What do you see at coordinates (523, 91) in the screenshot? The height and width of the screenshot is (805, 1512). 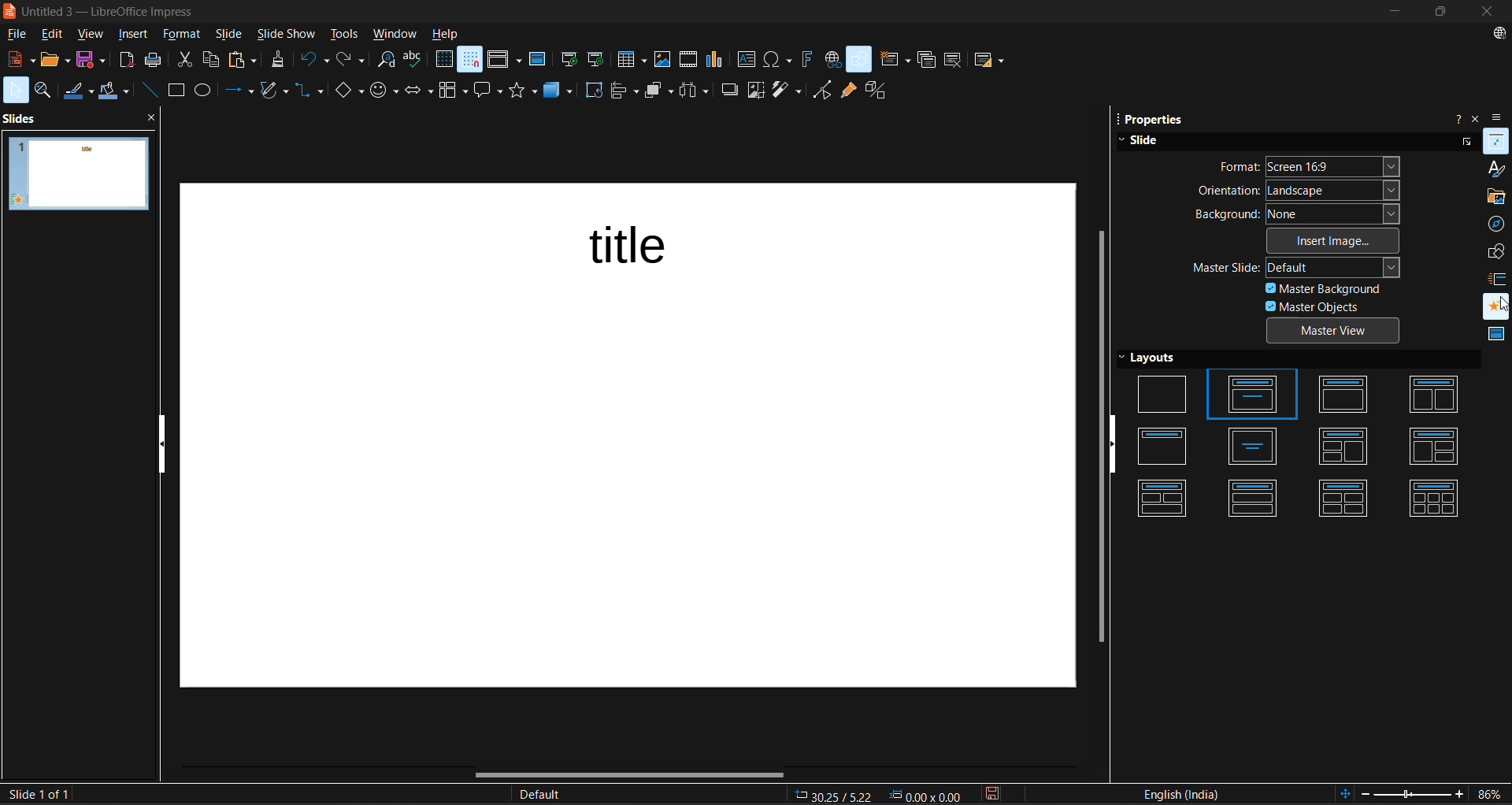 I see `stars and banners` at bounding box center [523, 91].